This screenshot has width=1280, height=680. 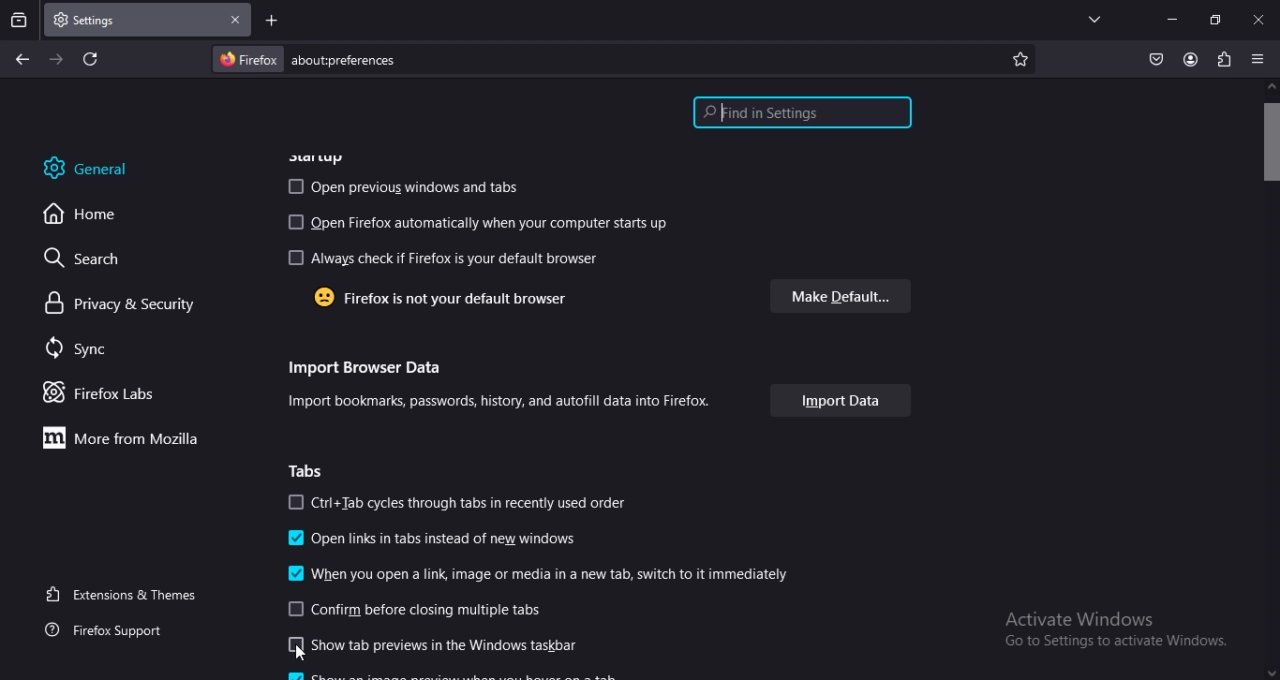 What do you see at coordinates (20, 59) in the screenshot?
I see `go back one page` at bounding box center [20, 59].